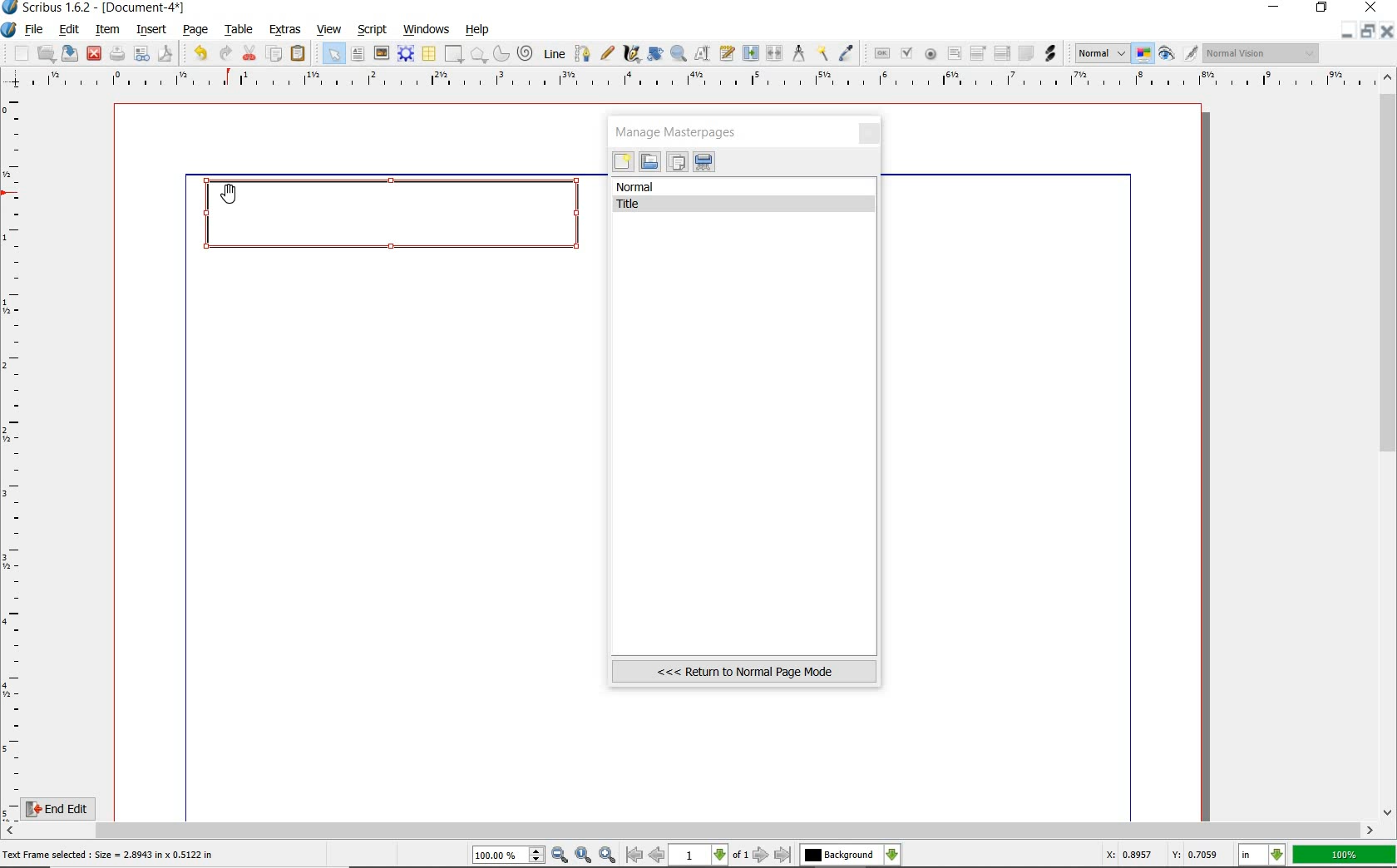 This screenshot has width=1397, height=868. I want to click on go to last page, so click(783, 855).